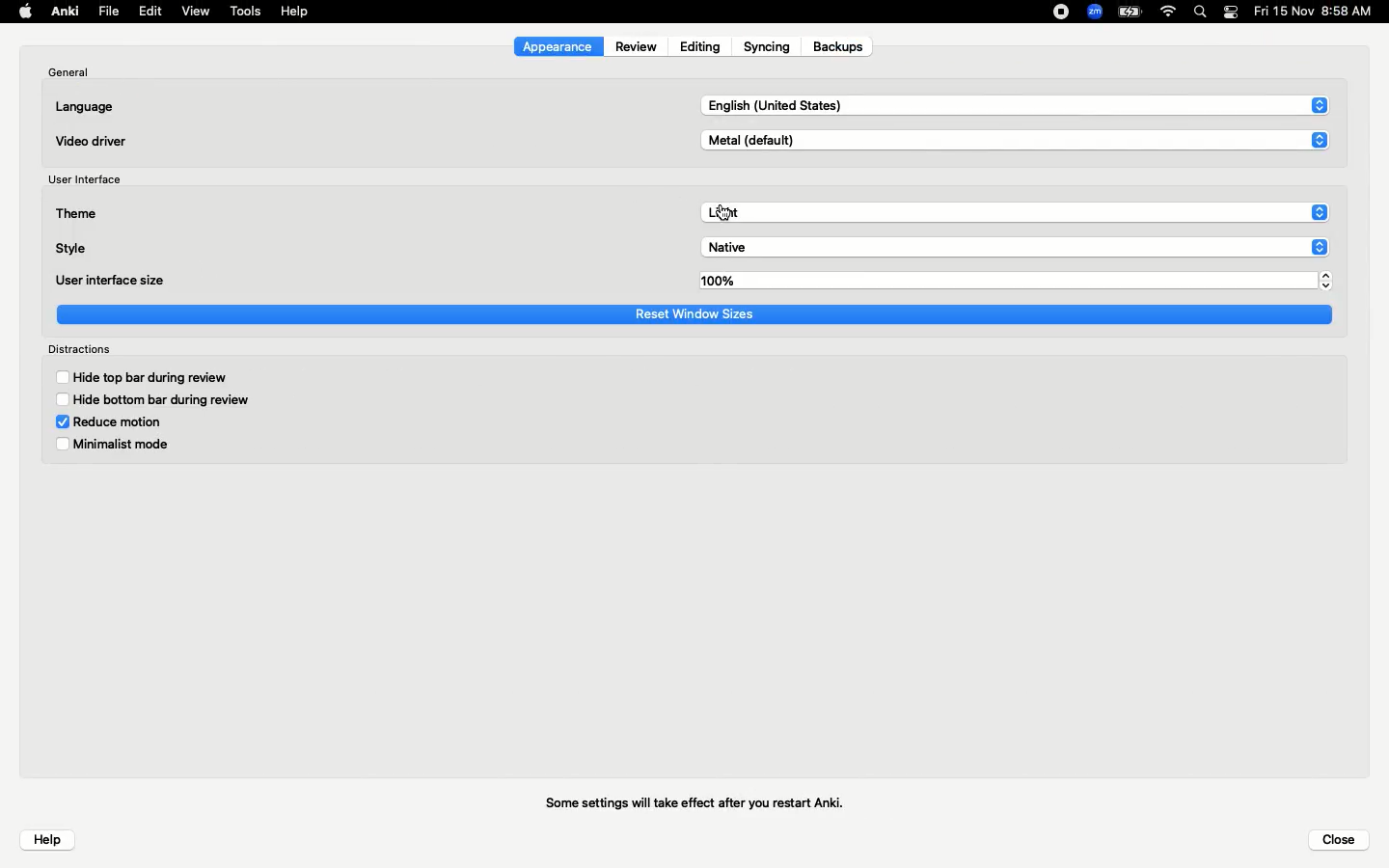 Image resolution: width=1389 pixels, height=868 pixels. Describe the element at coordinates (1343, 840) in the screenshot. I see `Close` at that location.